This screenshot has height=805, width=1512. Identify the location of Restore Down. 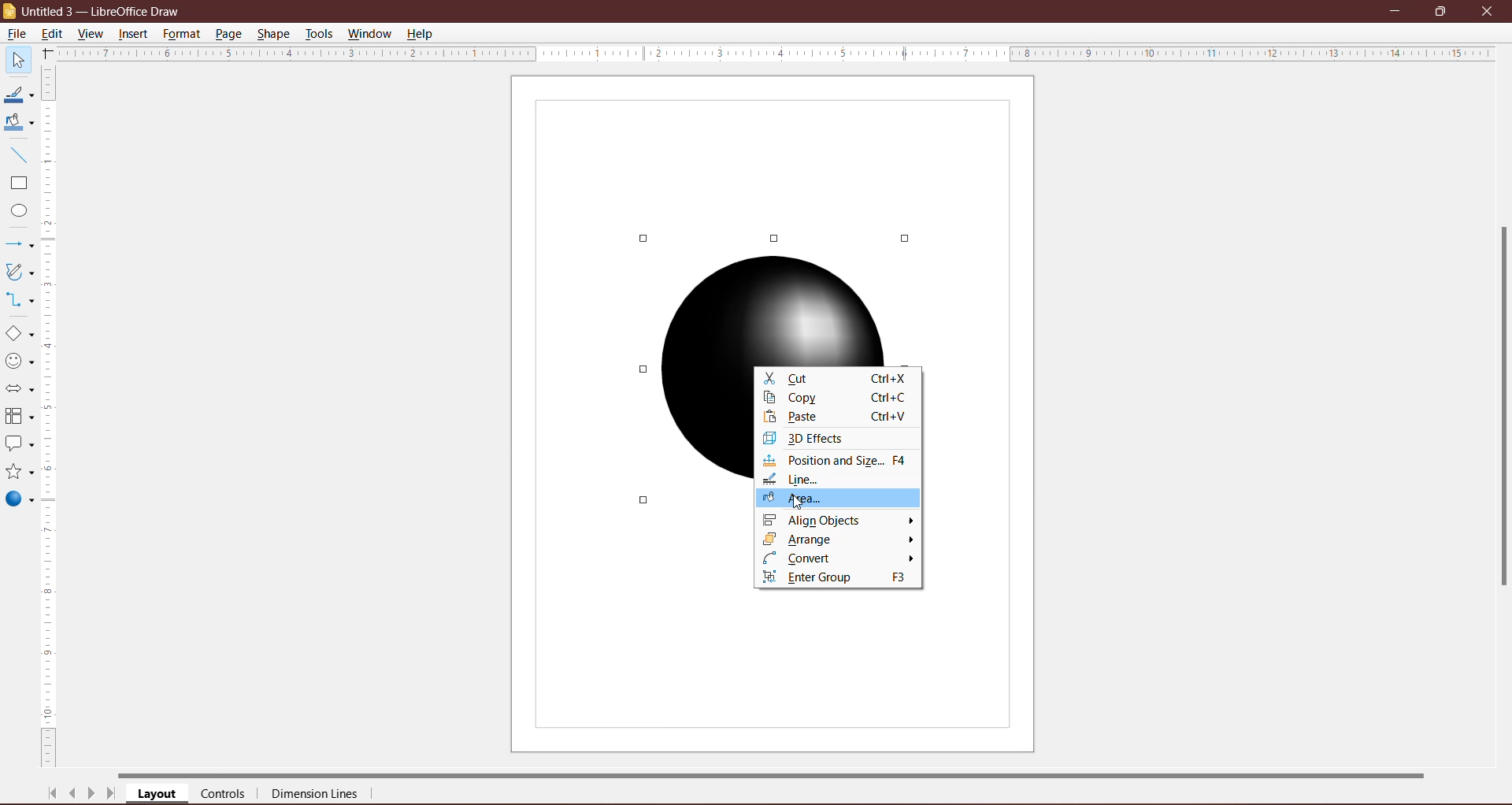
(1440, 10).